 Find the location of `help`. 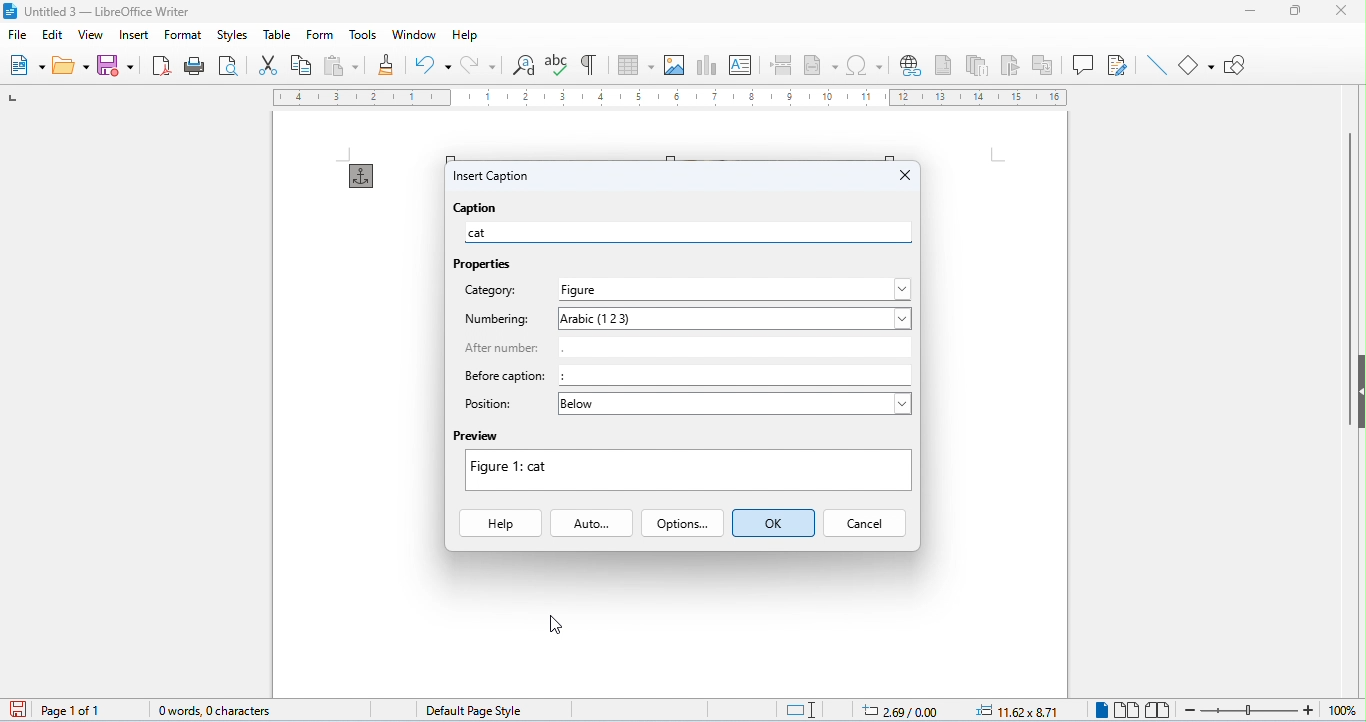

help is located at coordinates (465, 35).